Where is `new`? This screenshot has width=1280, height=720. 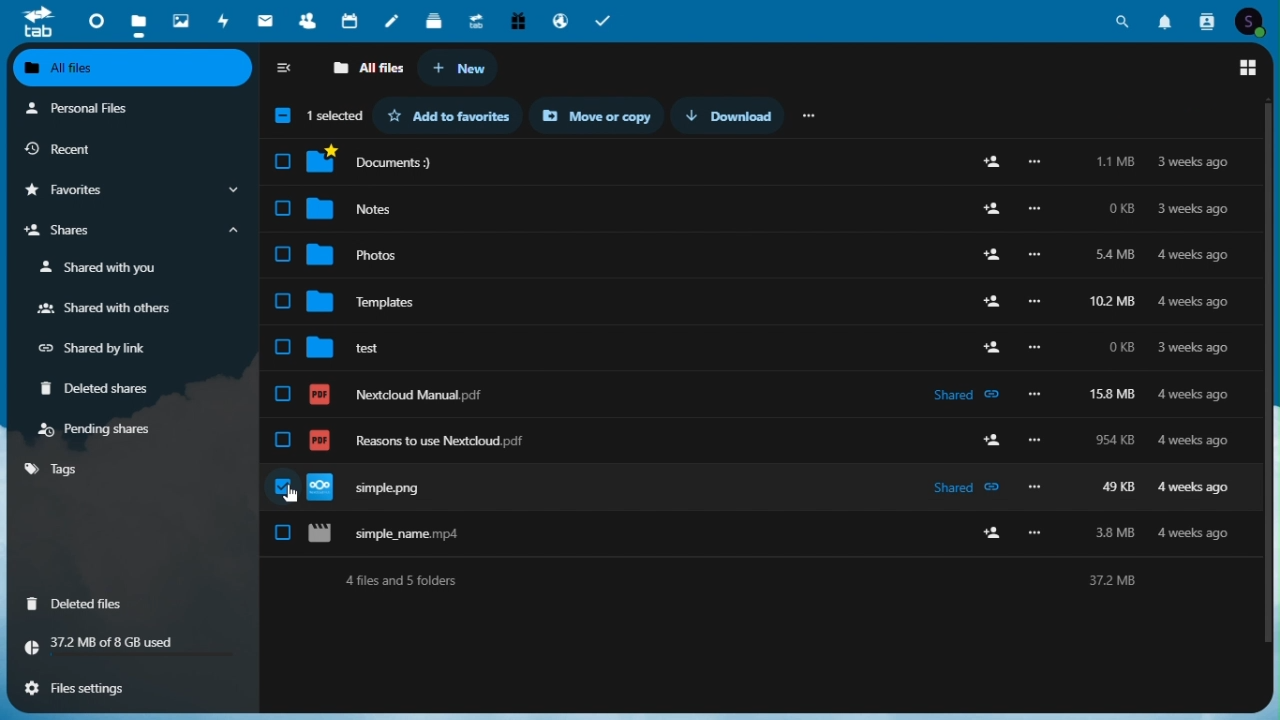 new is located at coordinates (459, 69).